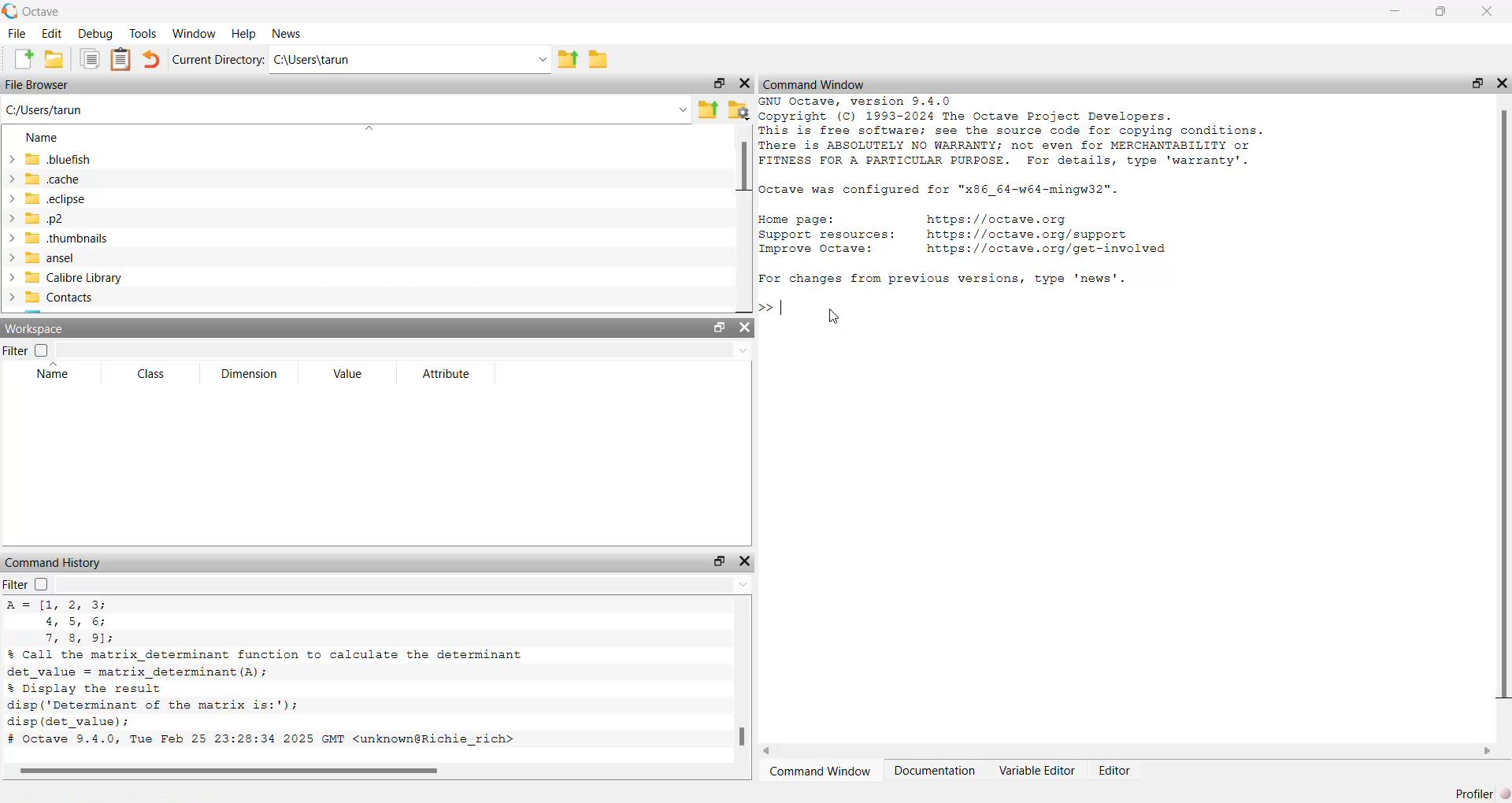 This screenshot has width=1512, height=803. What do you see at coordinates (781, 305) in the screenshot?
I see `text cursor` at bounding box center [781, 305].